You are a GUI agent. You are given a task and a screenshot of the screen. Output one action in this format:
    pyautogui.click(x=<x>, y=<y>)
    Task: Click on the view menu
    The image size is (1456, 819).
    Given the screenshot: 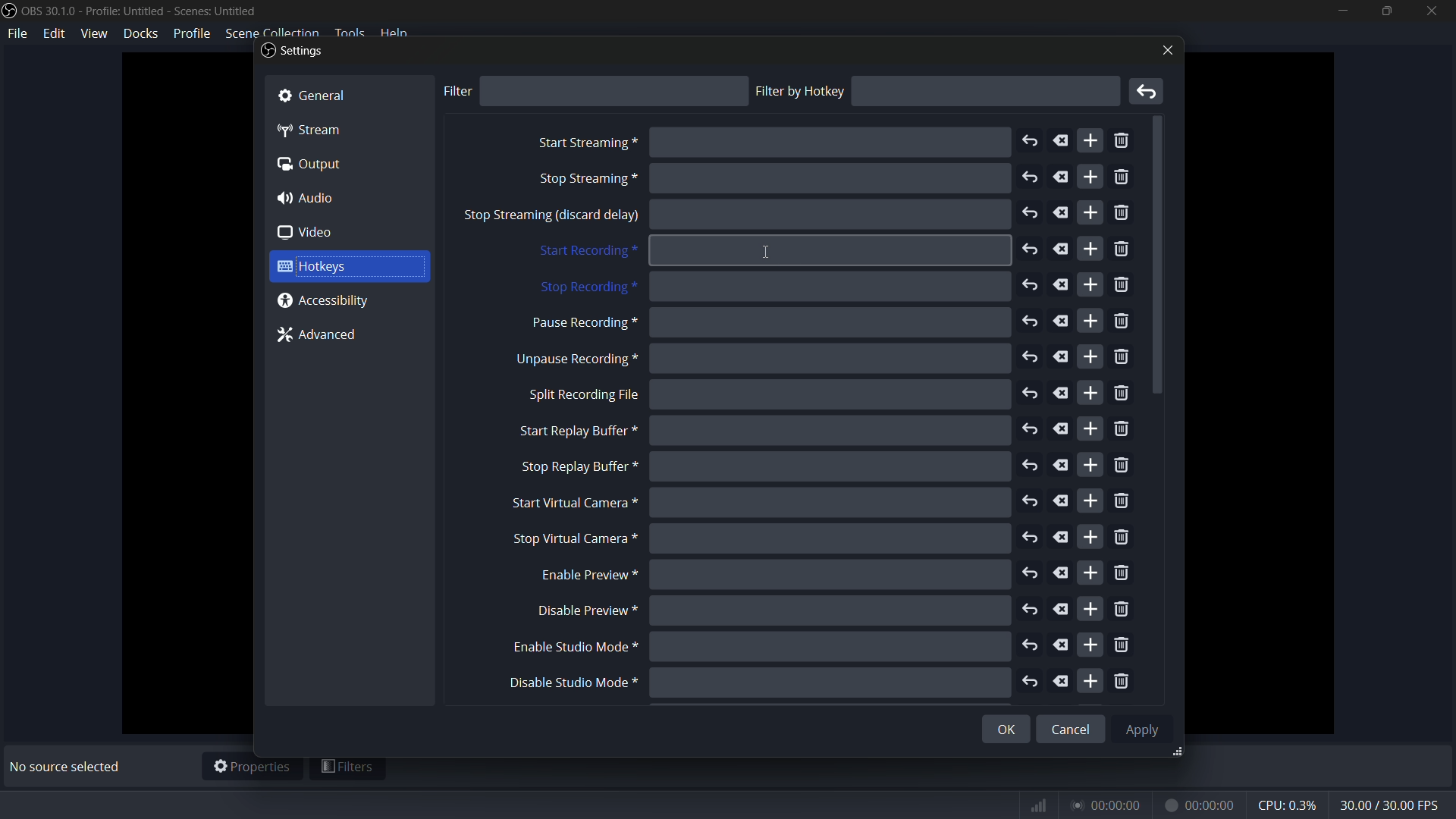 What is the action you would take?
    pyautogui.click(x=94, y=33)
    